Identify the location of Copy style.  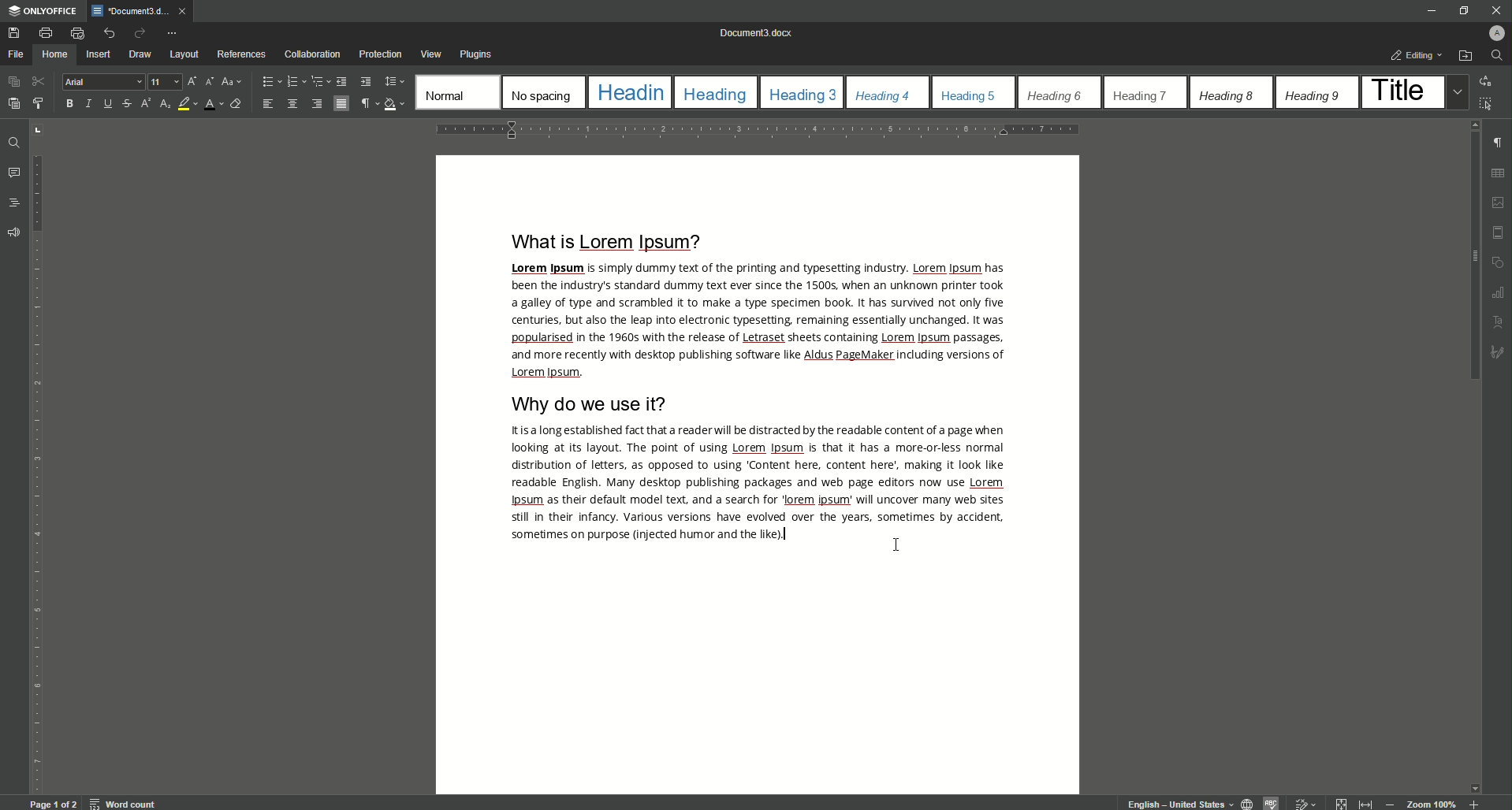
(40, 104).